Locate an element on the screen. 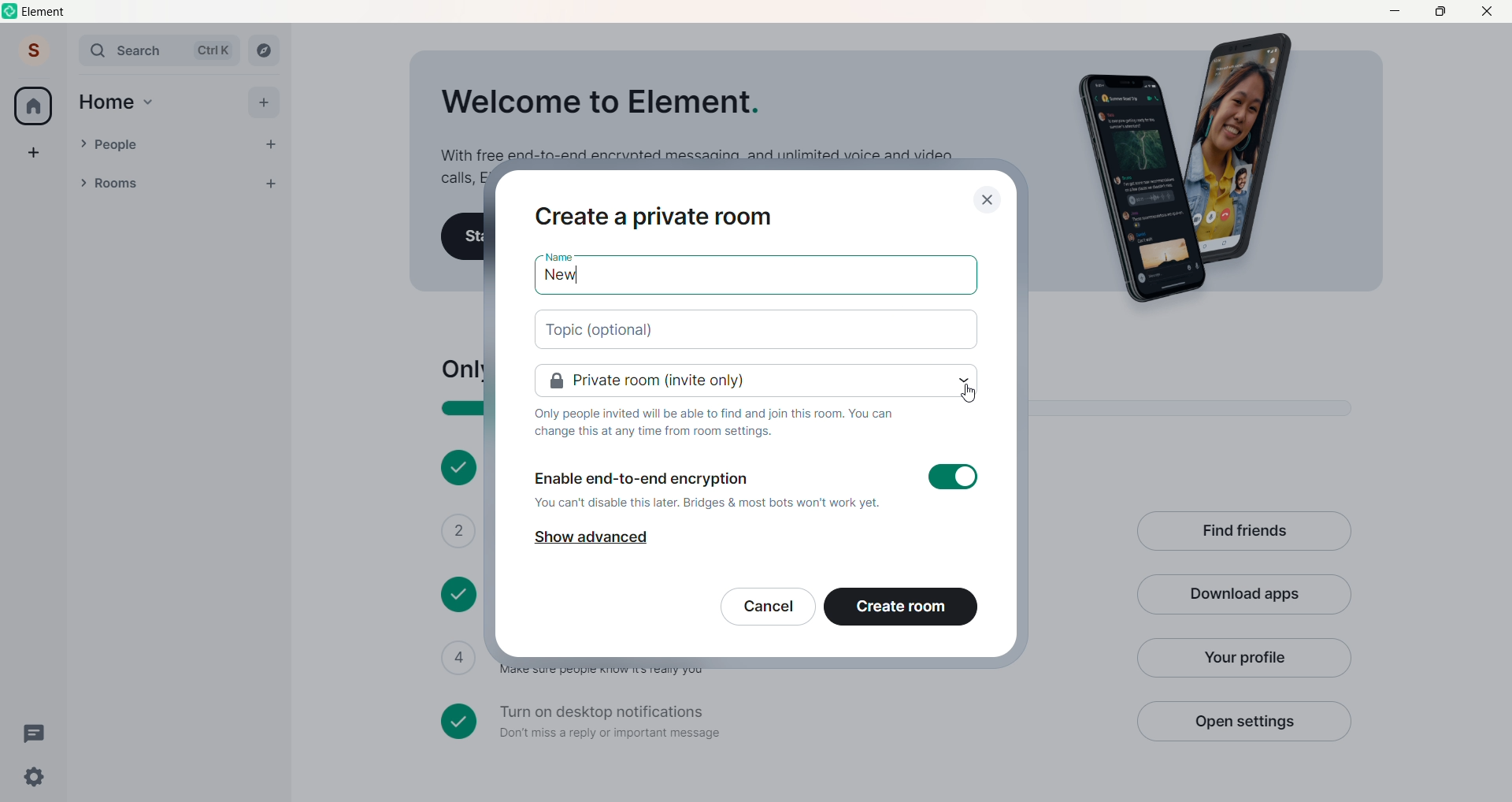 The height and width of the screenshot is (802, 1512). Enable end-to-end encryption
You can't disable this later. Bridges & most bots won't work yet. is located at coordinates (758, 485).